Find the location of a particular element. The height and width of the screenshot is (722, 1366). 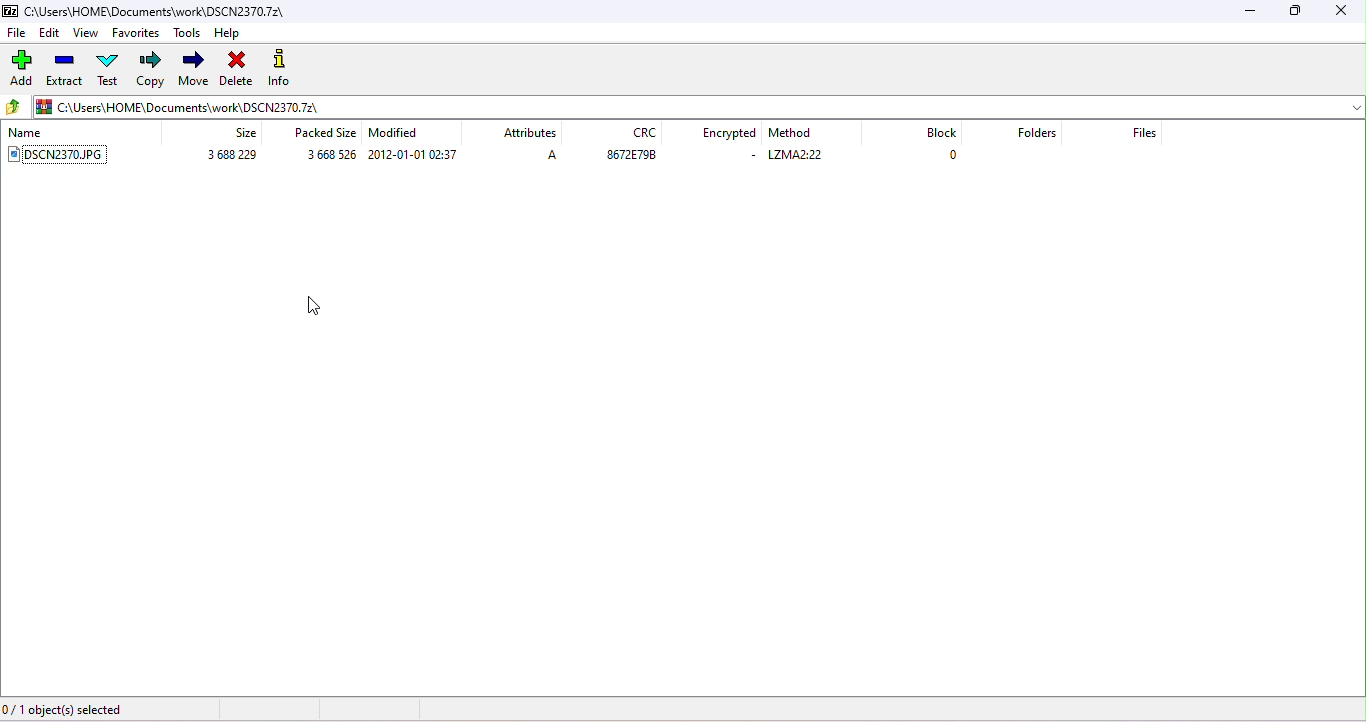

up to previous folder is located at coordinates (14, 107).